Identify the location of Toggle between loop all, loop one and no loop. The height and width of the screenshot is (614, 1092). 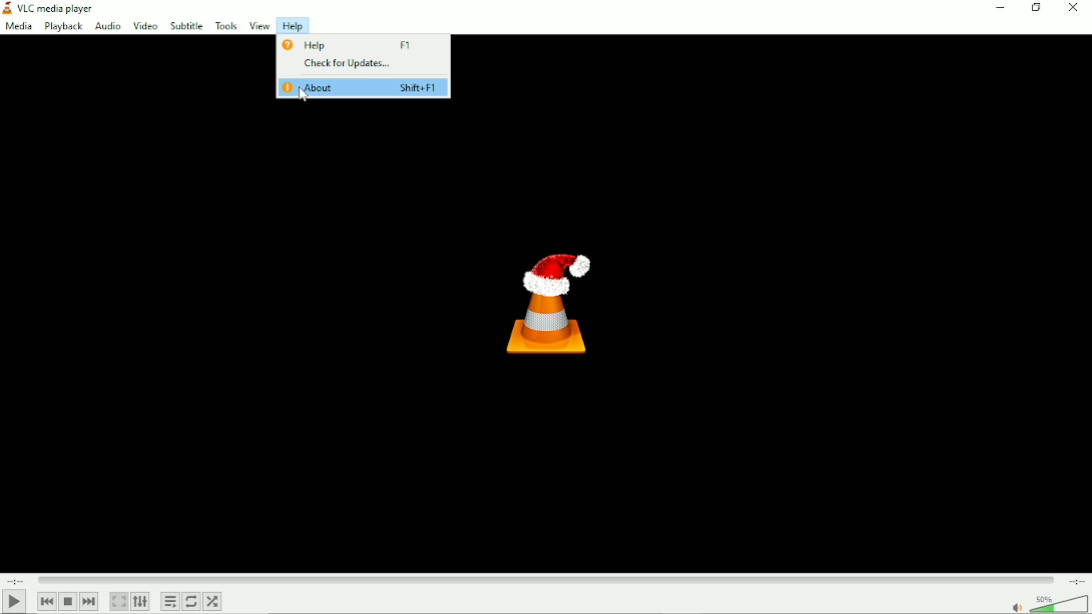
(191, 601).